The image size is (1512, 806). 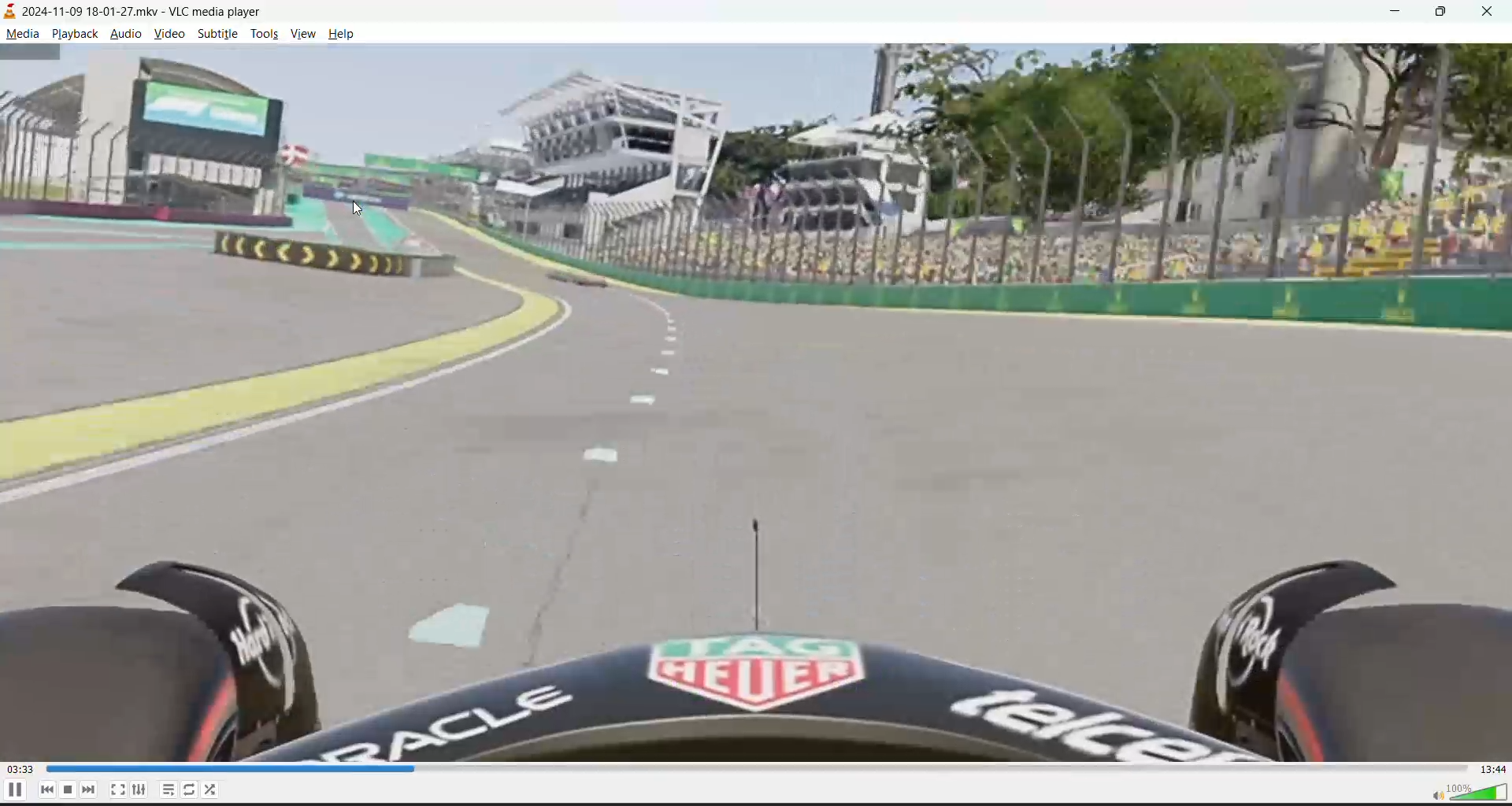 What do you see at coordinates (138, 789) in the screenshot?
I see `settings` at bounding box center [138, 789].